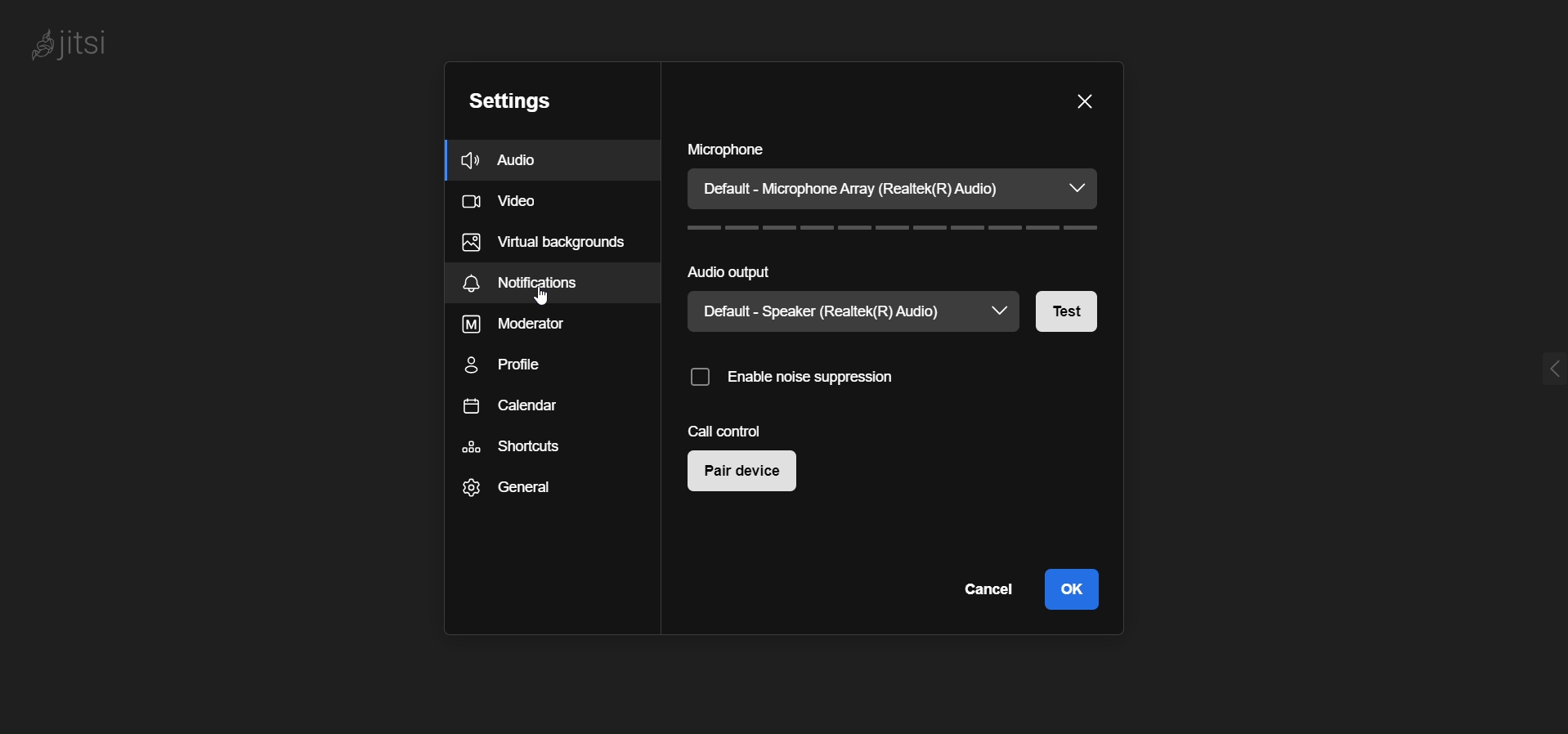 This screenshot has height=734, width=1568. What do you see at coordinates (1085, 98) in the screenshot?
I see `close dialog` at bounding box center [1085, 98].